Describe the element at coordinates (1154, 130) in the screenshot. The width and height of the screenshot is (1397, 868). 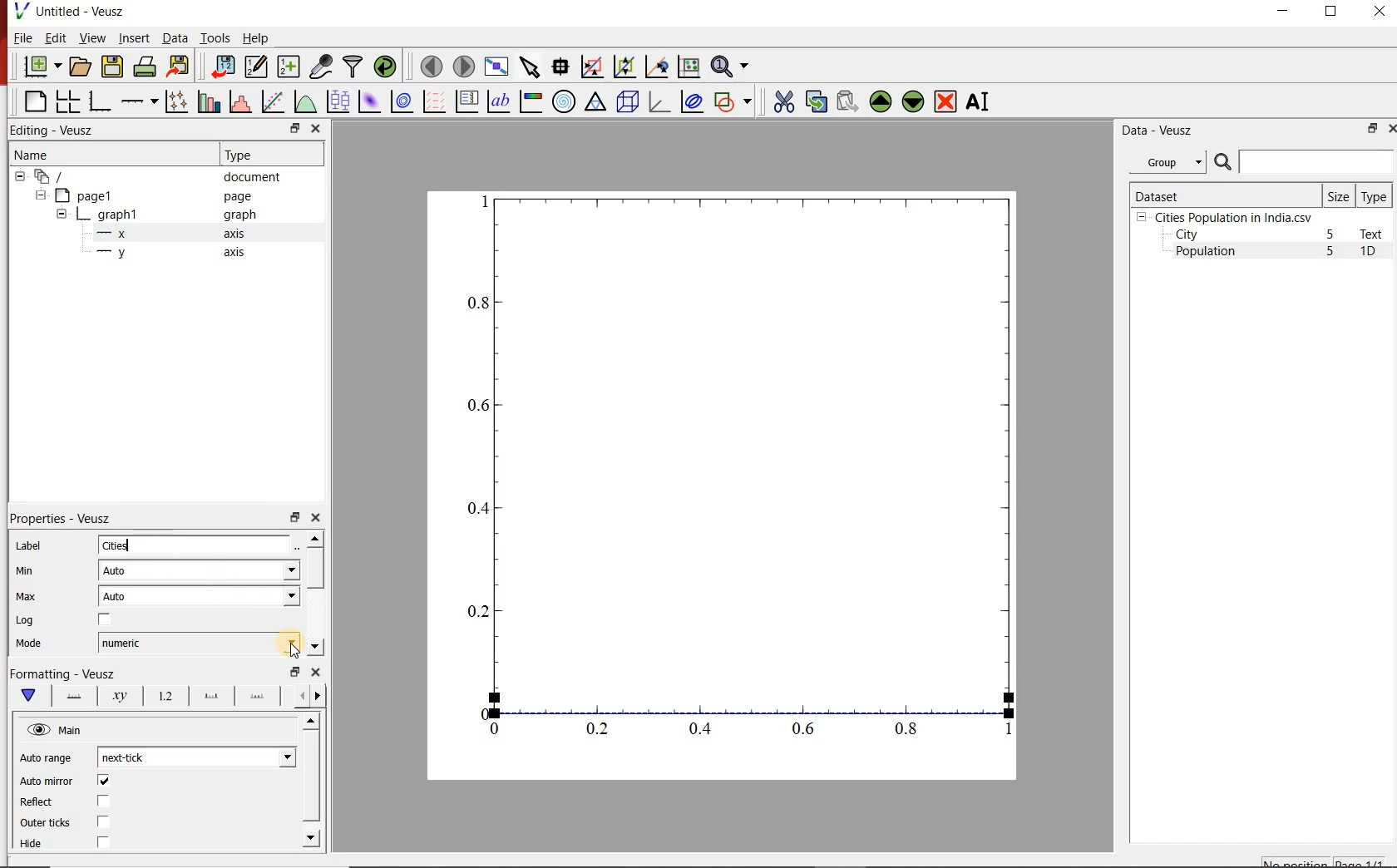
I see `Data - Veusz` at that location.